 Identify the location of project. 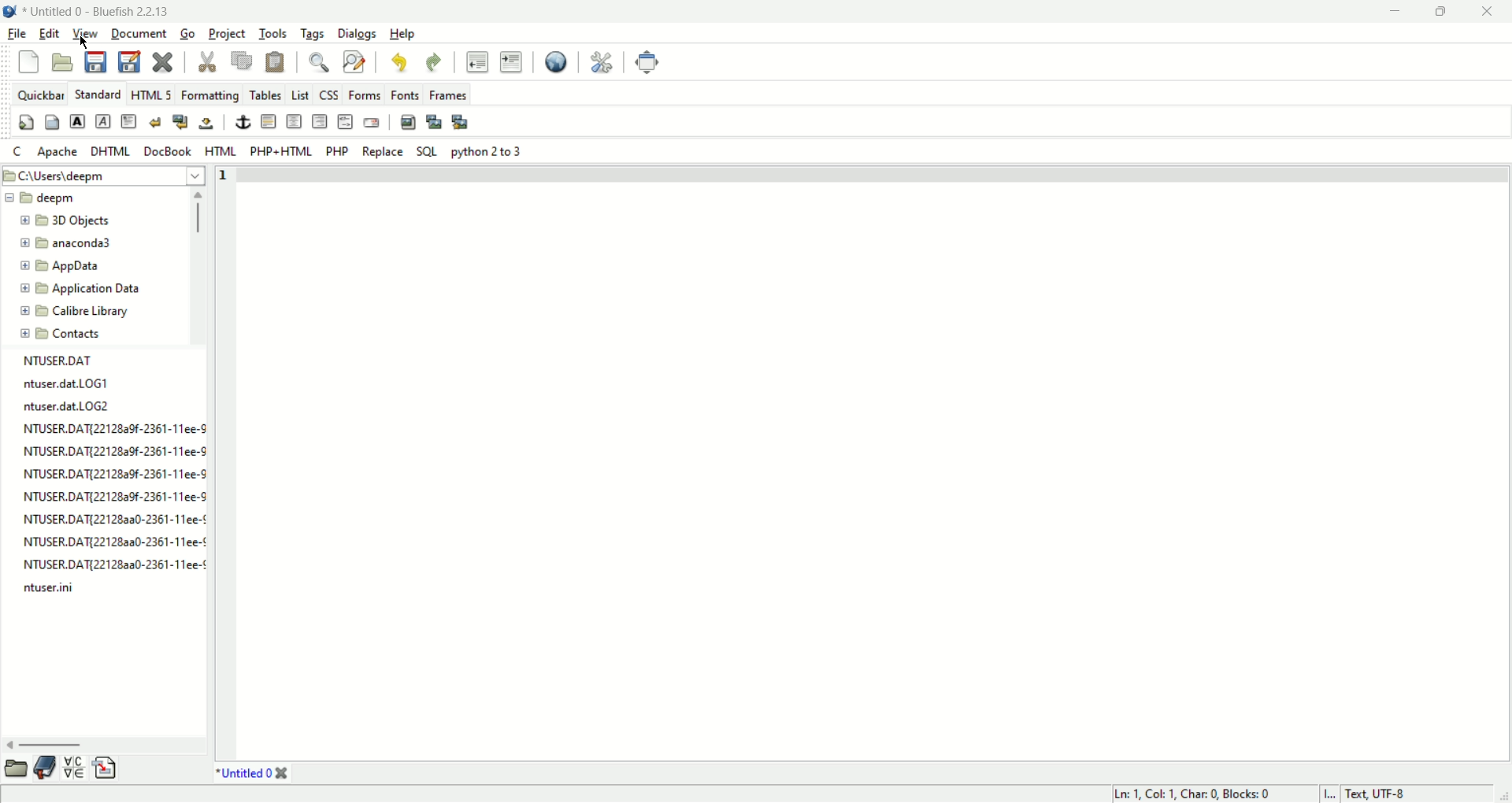
(227, 34).